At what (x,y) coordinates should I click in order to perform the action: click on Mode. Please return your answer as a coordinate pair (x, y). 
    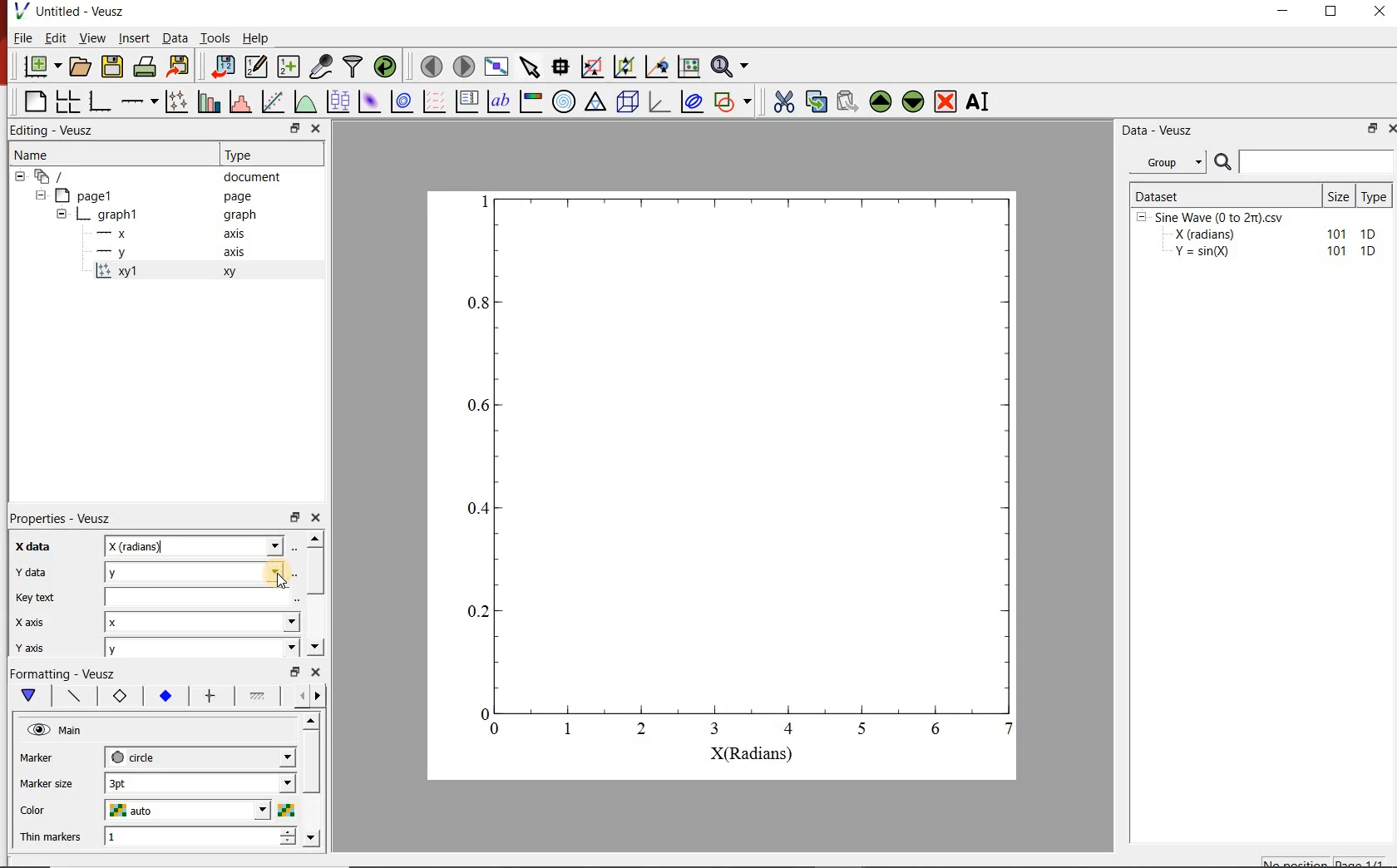
    Looking at the image, I should click on (29, 644).